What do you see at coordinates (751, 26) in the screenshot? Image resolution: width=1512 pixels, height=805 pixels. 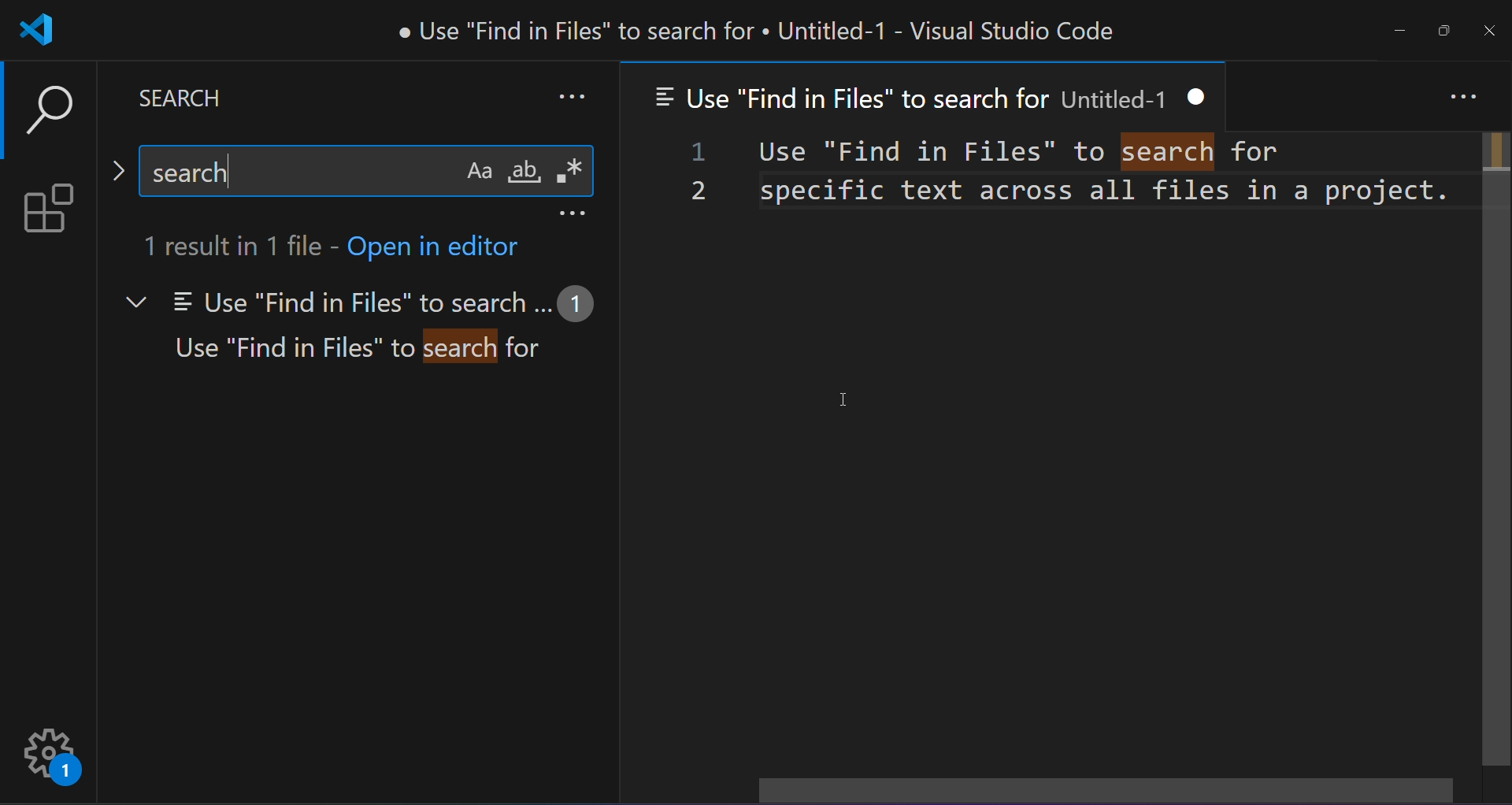 I see `e Use "Find in Files" to search for « Untitled-1 - Visual Studio Code` at bounding box center [751, 26].